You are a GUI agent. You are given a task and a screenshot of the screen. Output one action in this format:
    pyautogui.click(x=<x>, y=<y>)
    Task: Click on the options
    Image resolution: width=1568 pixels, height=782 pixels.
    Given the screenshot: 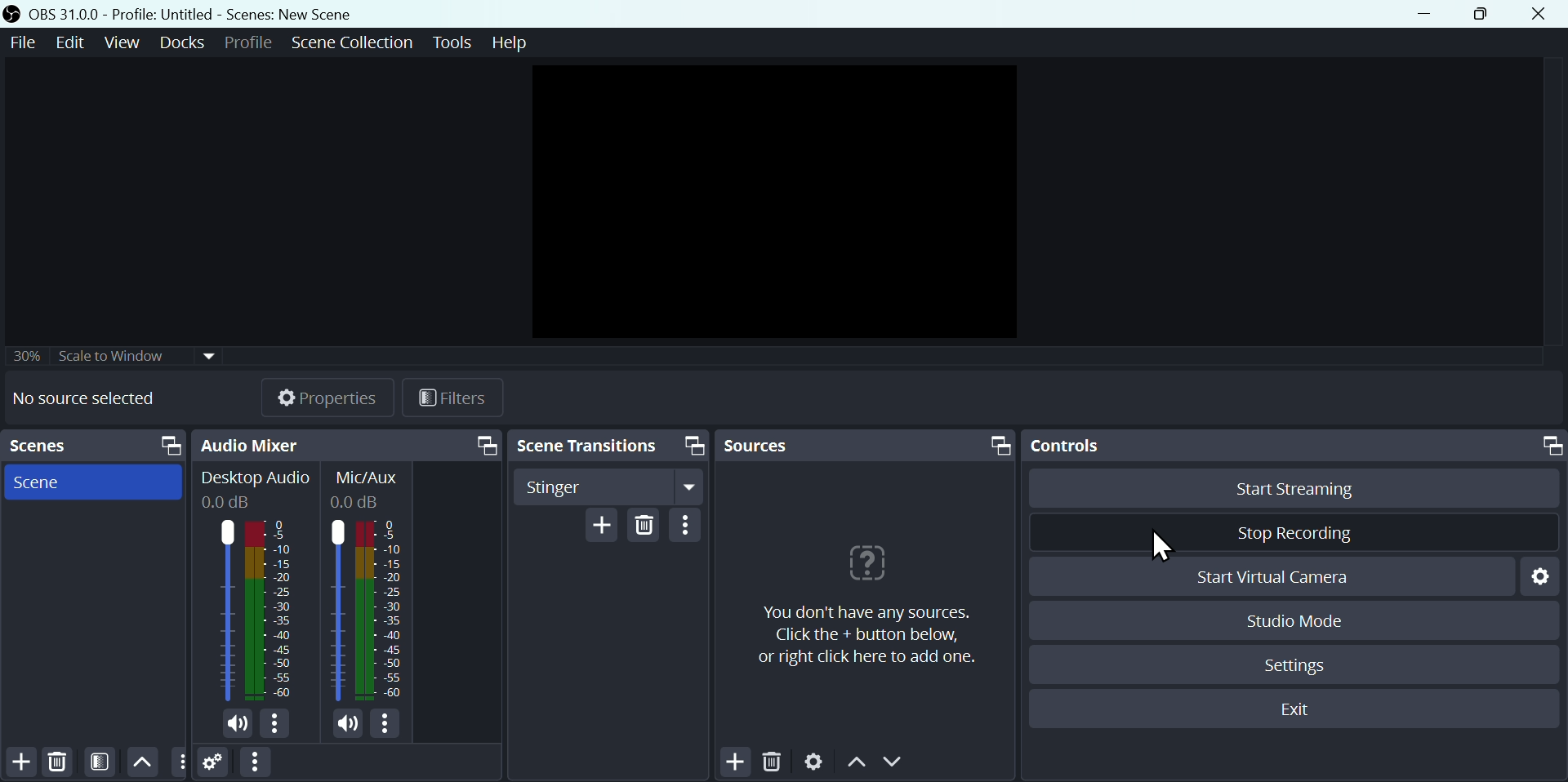 What is the action you would take?
    pyautogui.click(x=385, y=726)
    